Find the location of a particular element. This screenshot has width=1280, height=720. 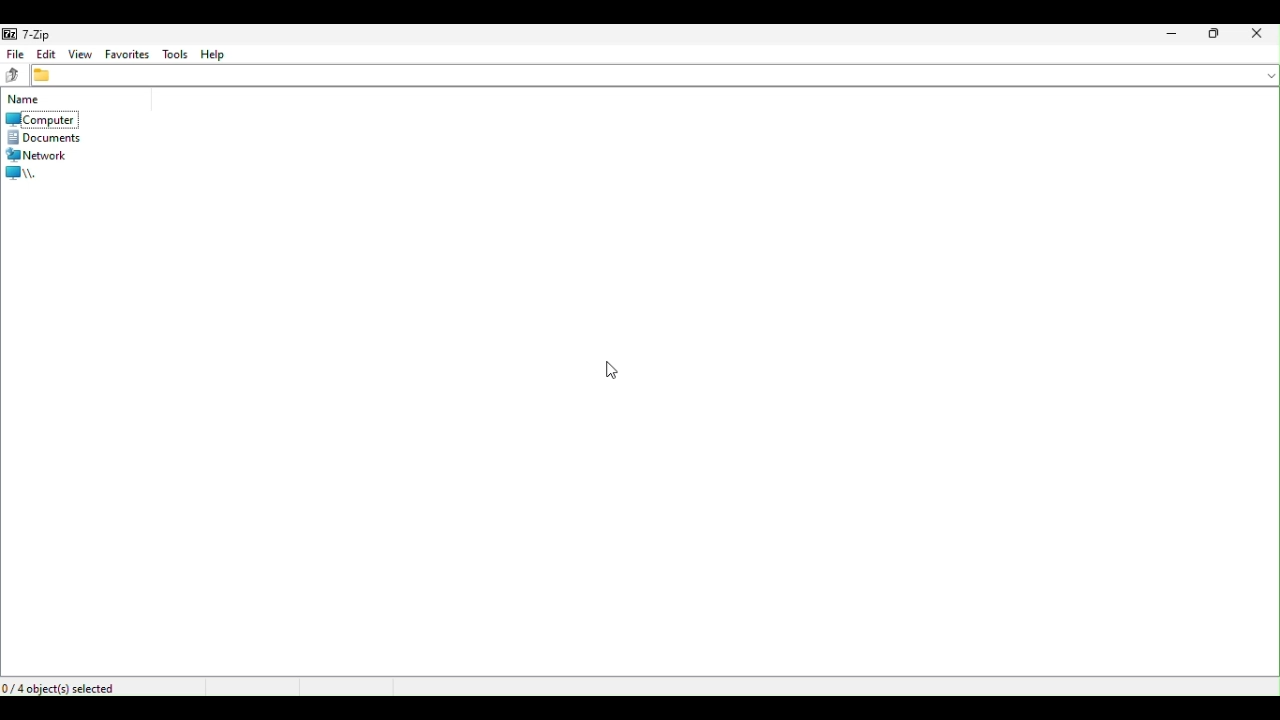

documents is located at coordinates (43, 138).